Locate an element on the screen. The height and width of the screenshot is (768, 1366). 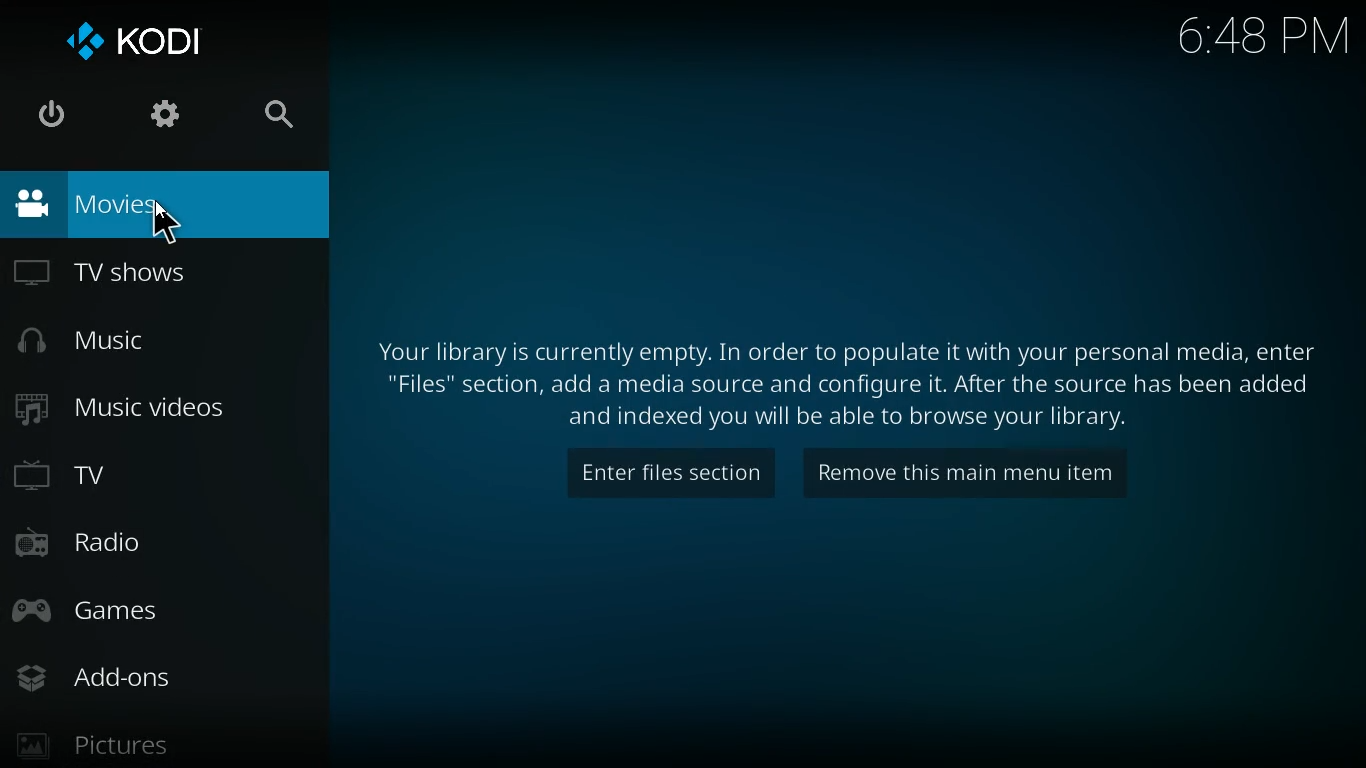
tv shows is located at coordinates (139, 276).